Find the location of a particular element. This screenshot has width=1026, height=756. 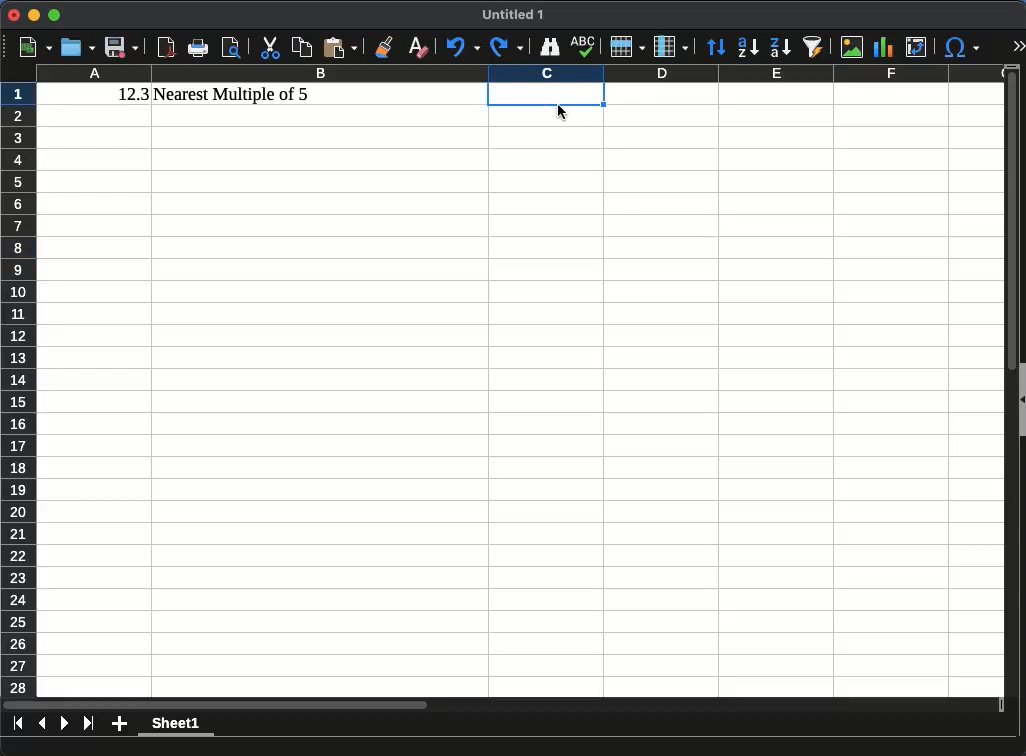

collapse is located at coordinates (1020, 400).